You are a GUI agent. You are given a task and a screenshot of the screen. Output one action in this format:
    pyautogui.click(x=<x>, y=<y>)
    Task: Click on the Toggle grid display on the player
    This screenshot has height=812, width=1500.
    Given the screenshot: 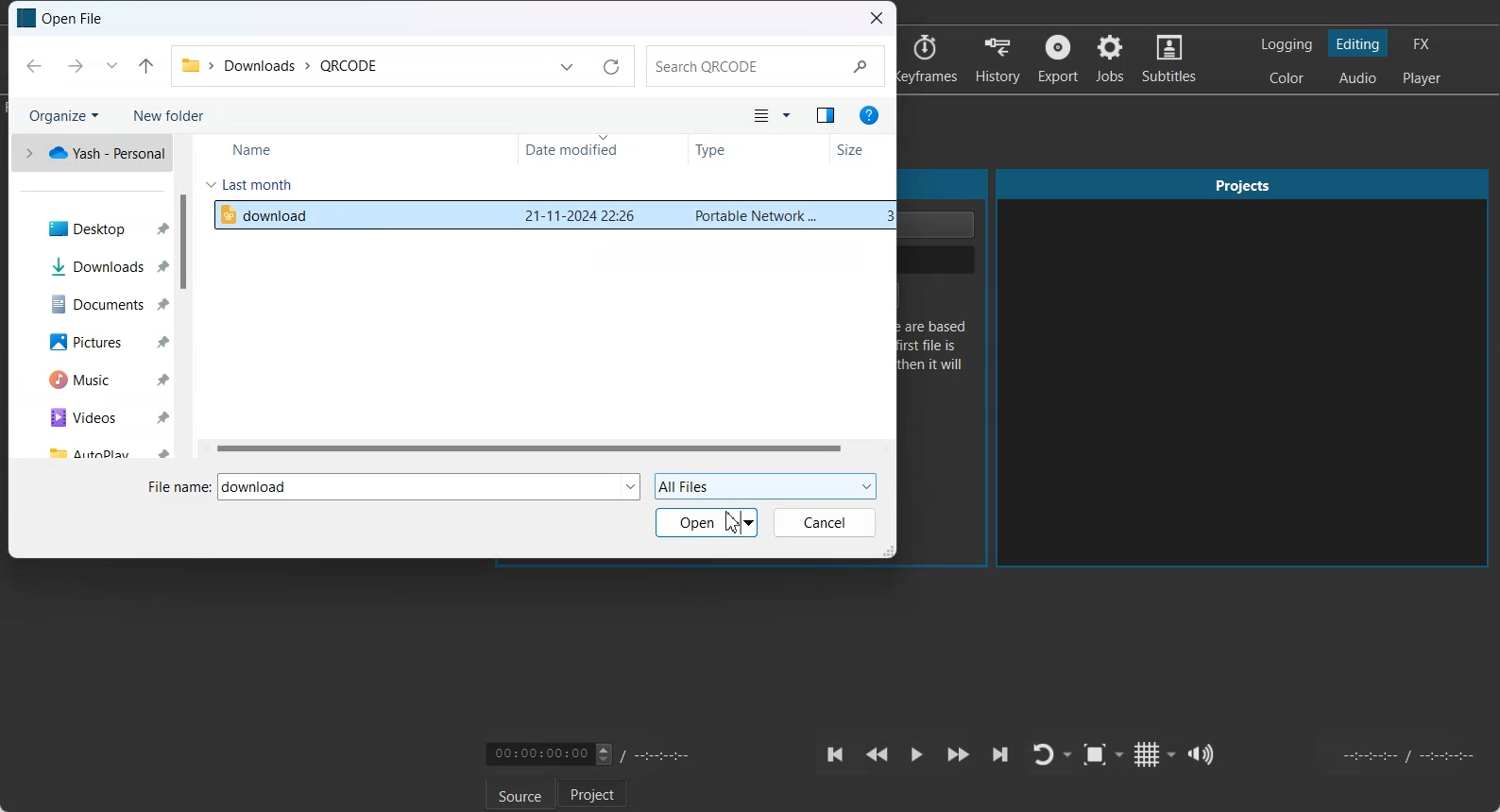 What is the action you would take?
    pyautogui.click(x=1149, y=754)
    